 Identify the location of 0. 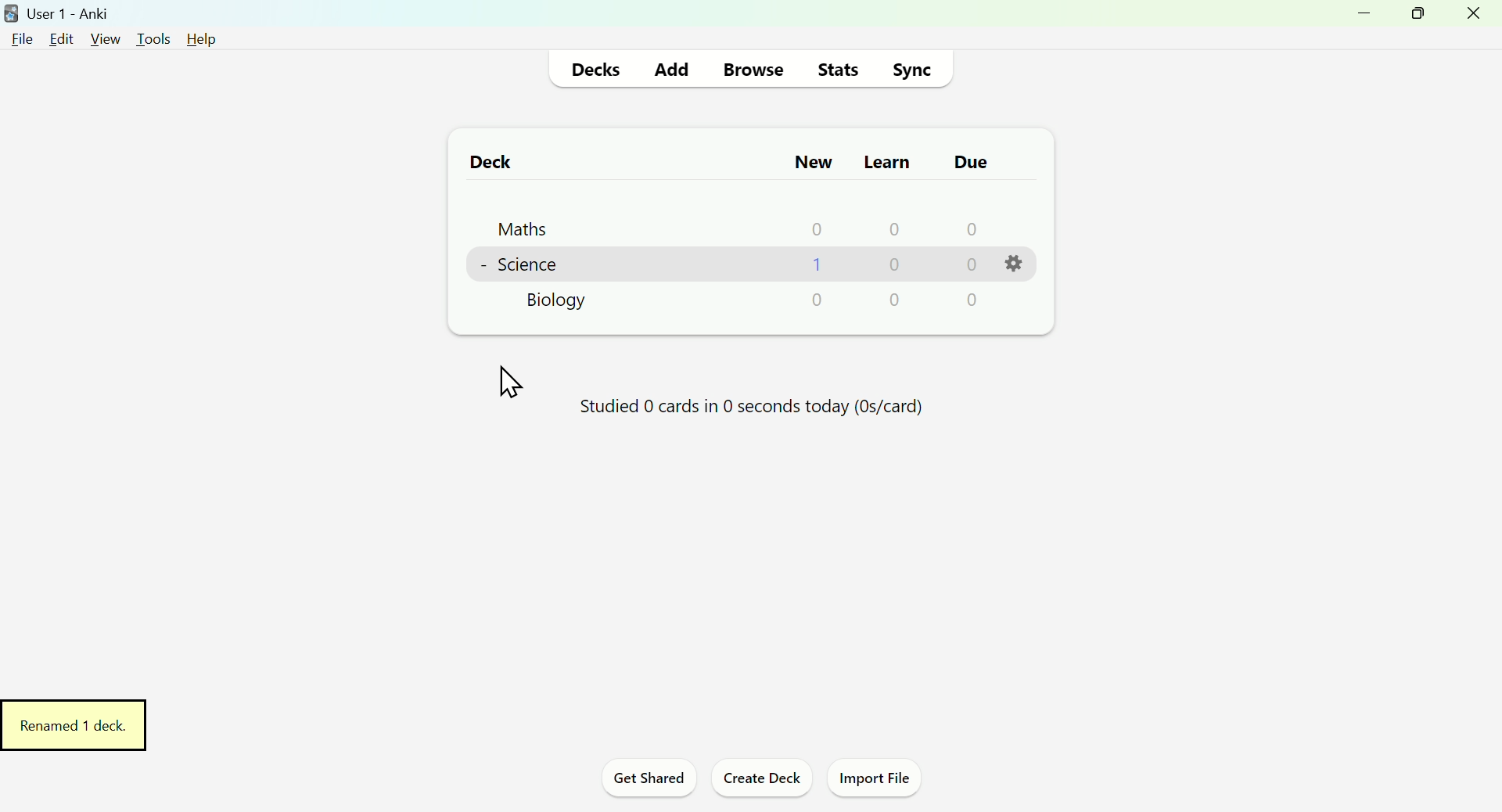
(817, 228).